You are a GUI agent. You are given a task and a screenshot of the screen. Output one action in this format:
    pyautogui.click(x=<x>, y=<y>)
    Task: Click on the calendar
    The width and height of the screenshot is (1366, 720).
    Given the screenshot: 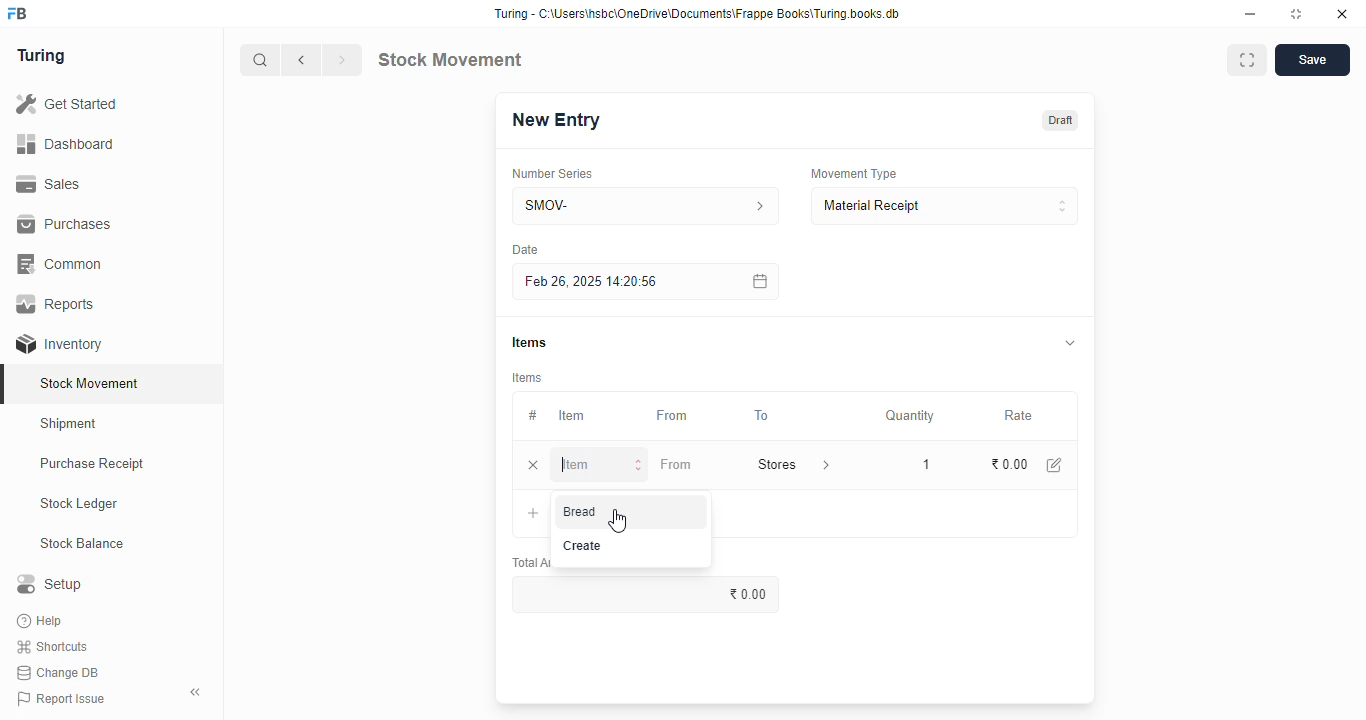 What is the action you would take?
    pyautogui.click(x=758, y=281)
    